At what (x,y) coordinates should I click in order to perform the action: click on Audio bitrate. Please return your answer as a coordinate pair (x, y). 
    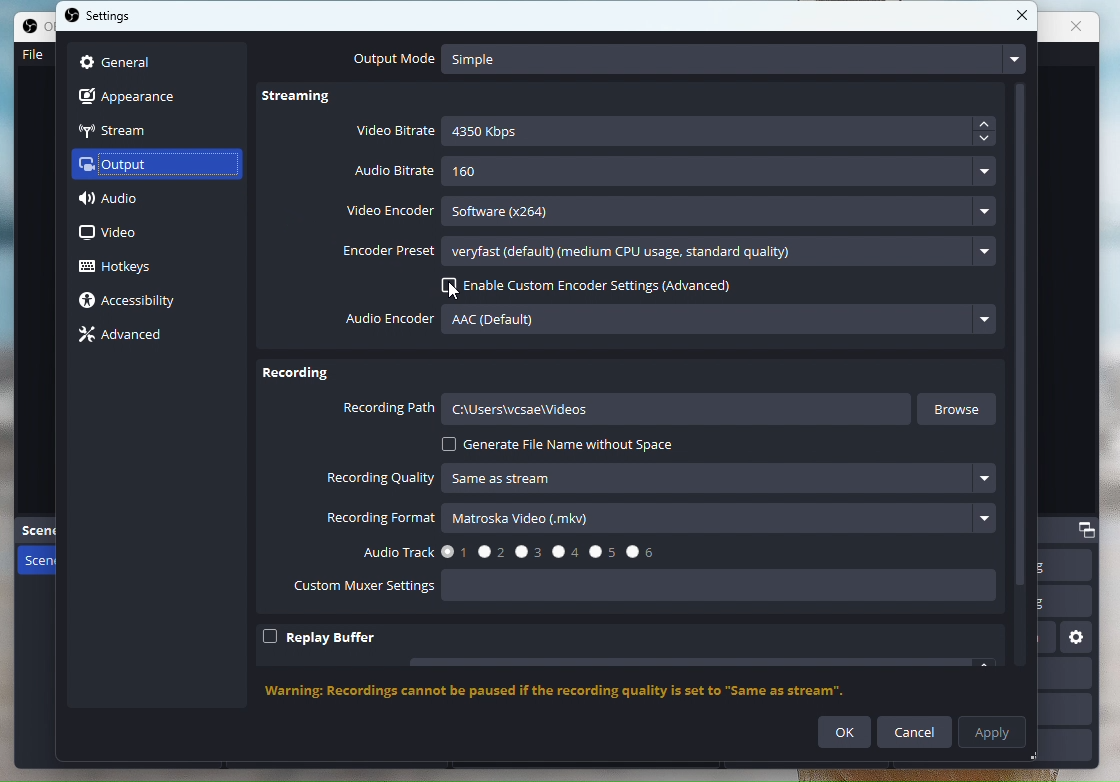
    Looking at the image, I should click on (677, 172).